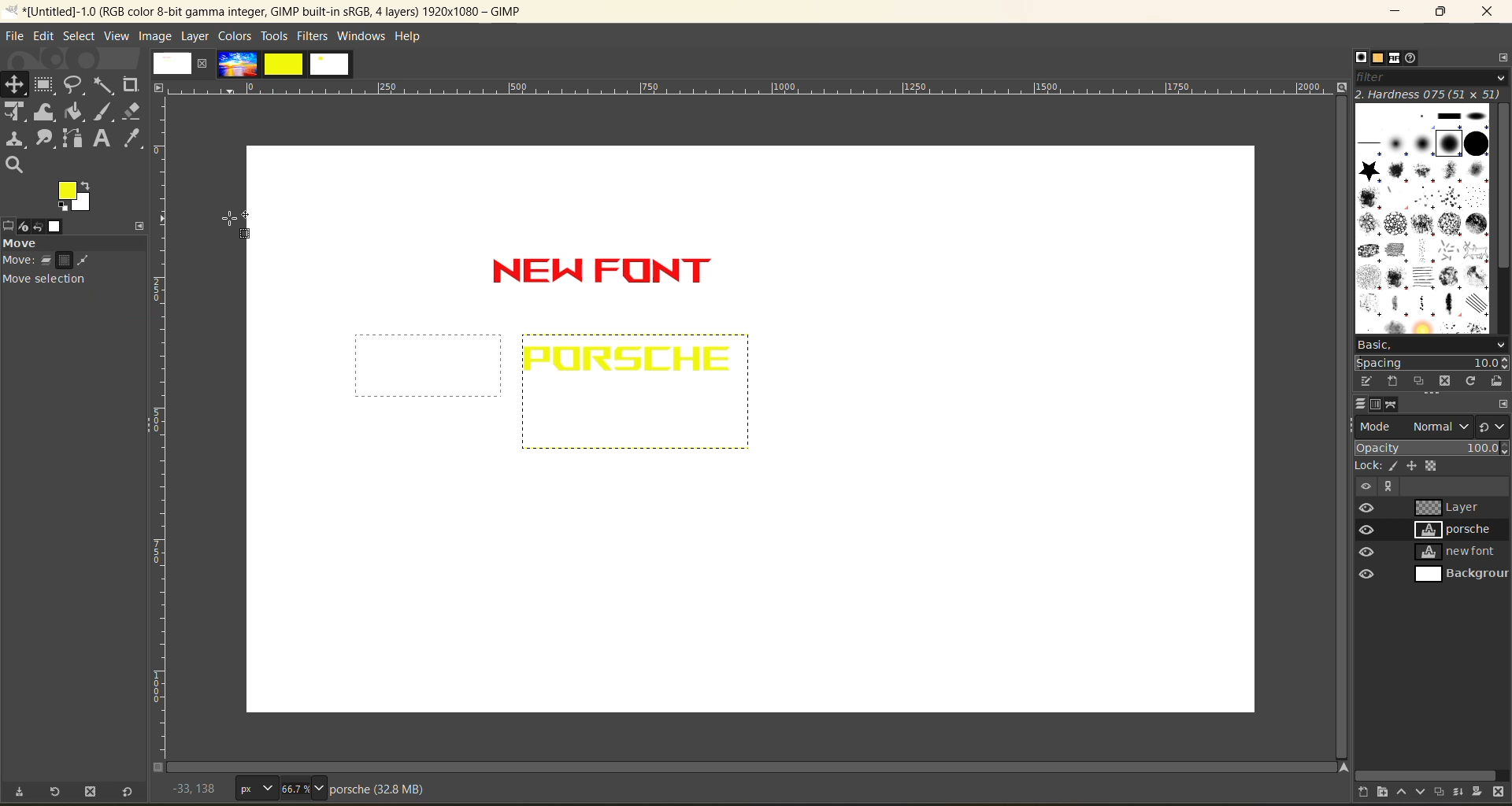  What do you see at coordinates (132, 139) in the screenshot?
I see `color picker` at bounding box center [132, 139].